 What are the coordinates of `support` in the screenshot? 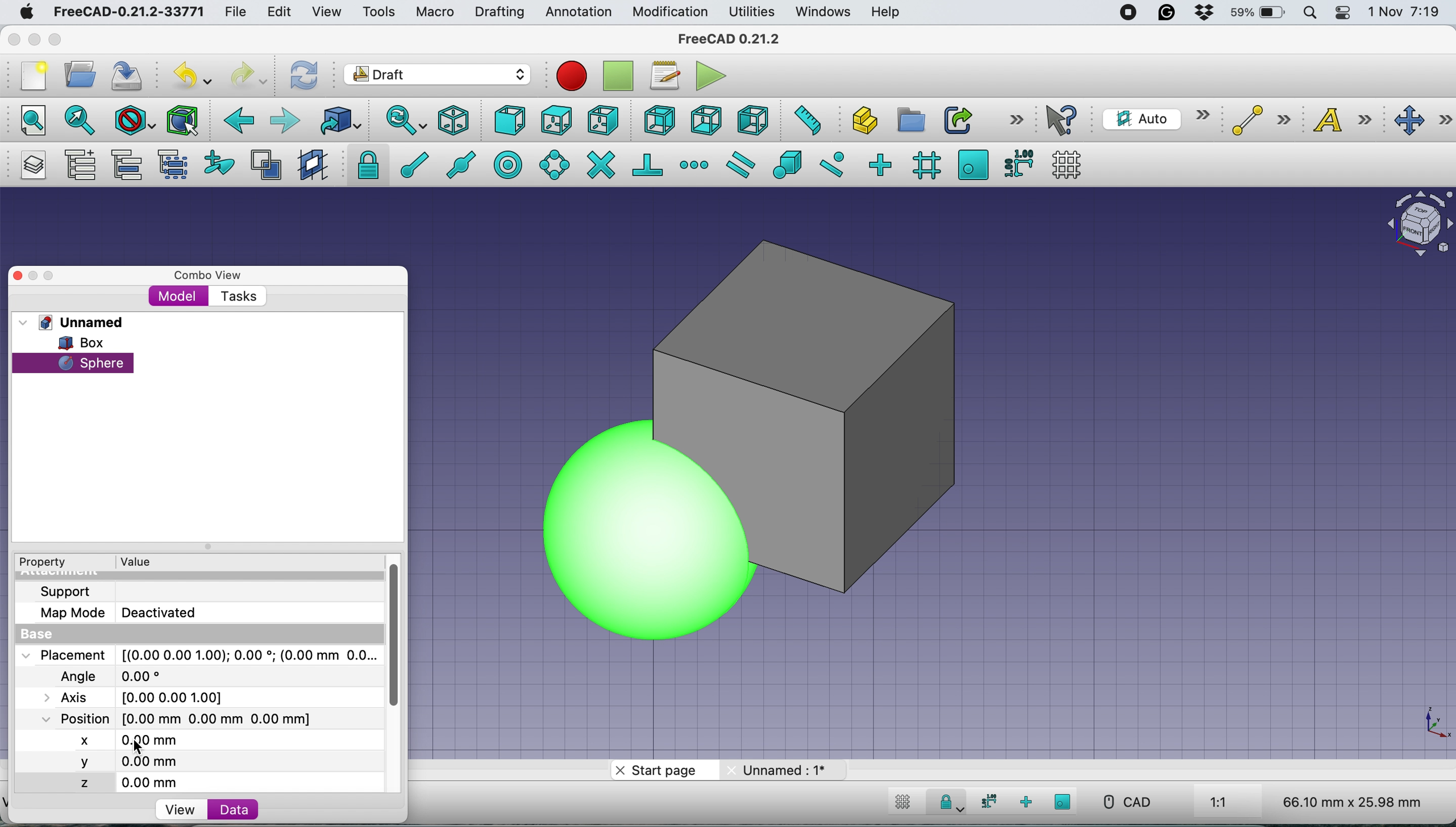 It's located at (69, 590).